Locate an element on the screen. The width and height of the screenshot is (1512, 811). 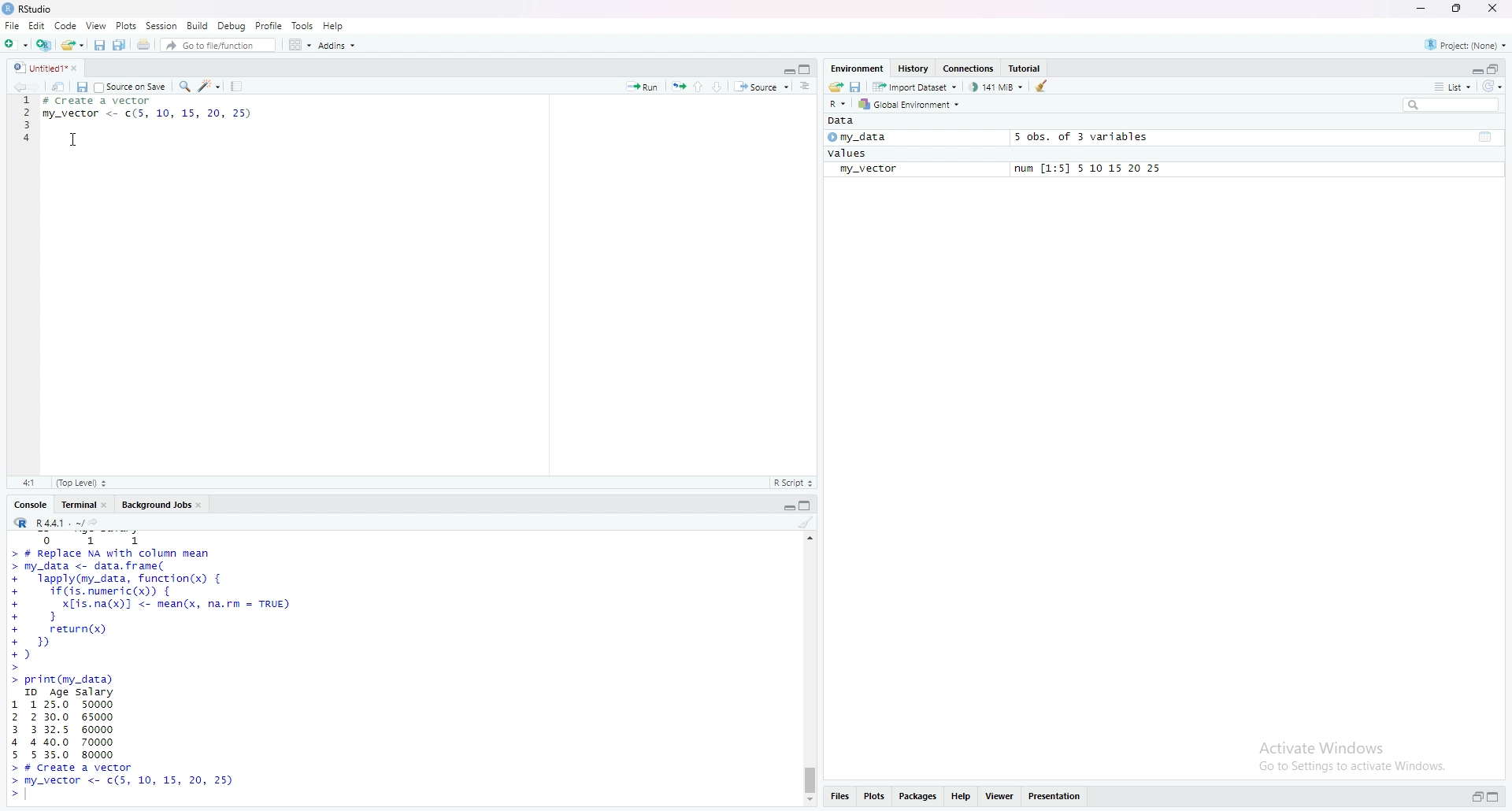
source the content of active document is located at coordinates (764, 87).